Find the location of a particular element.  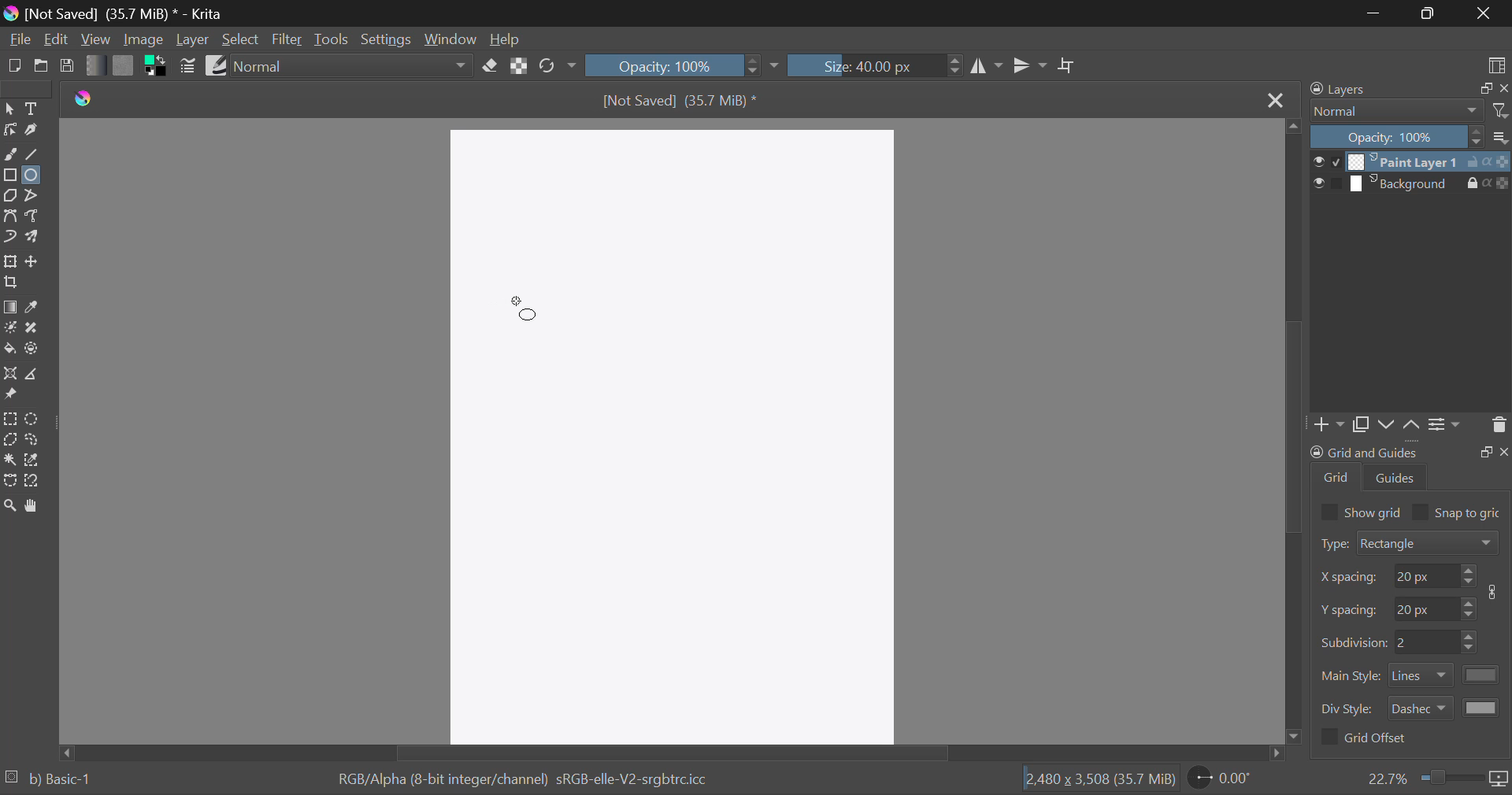

Bezier Curve Selection is located at coordinates (9, 482).